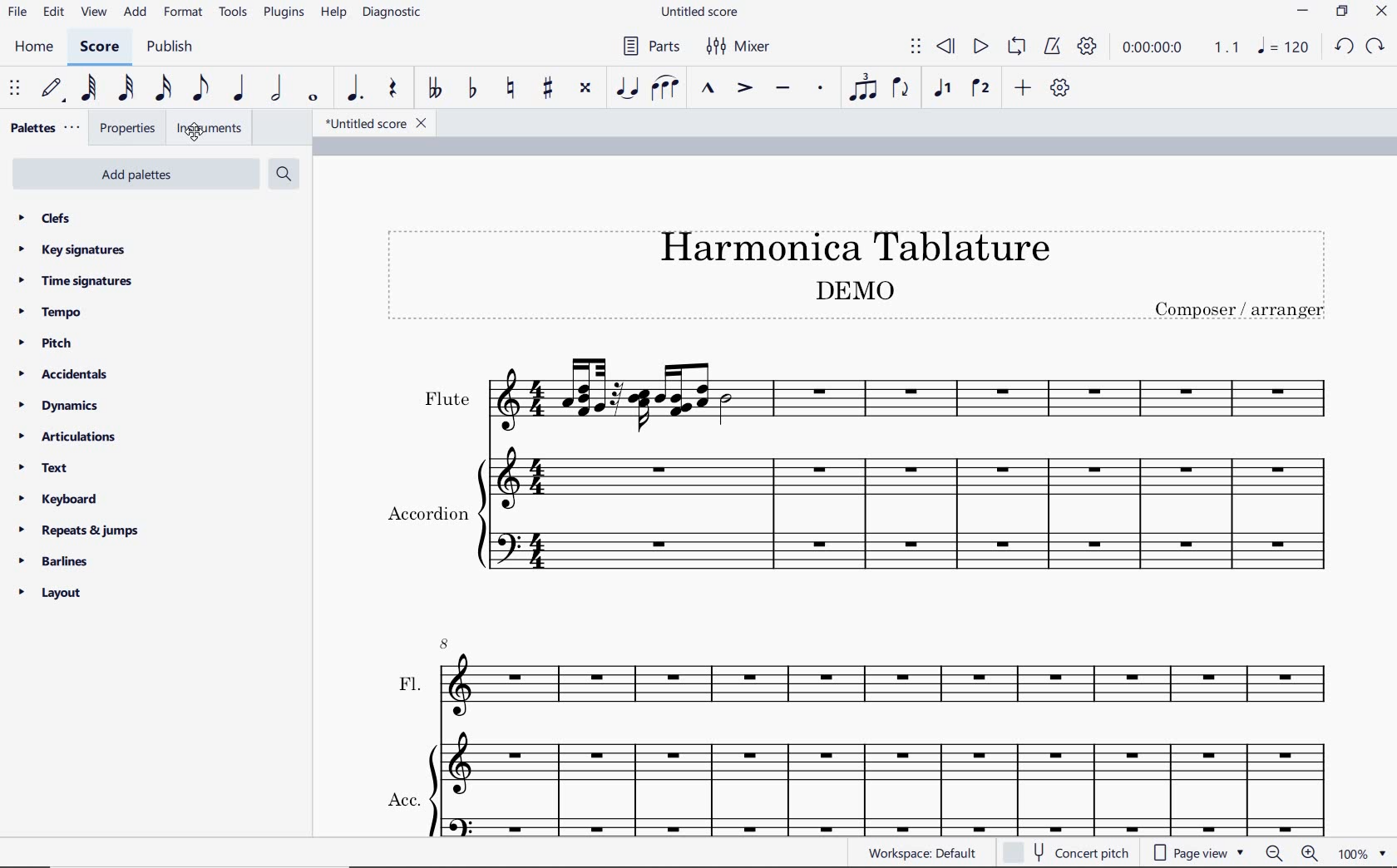 The width and height of the screenshot is (1397, 868). I want to click on barlines, so click(59, 563).